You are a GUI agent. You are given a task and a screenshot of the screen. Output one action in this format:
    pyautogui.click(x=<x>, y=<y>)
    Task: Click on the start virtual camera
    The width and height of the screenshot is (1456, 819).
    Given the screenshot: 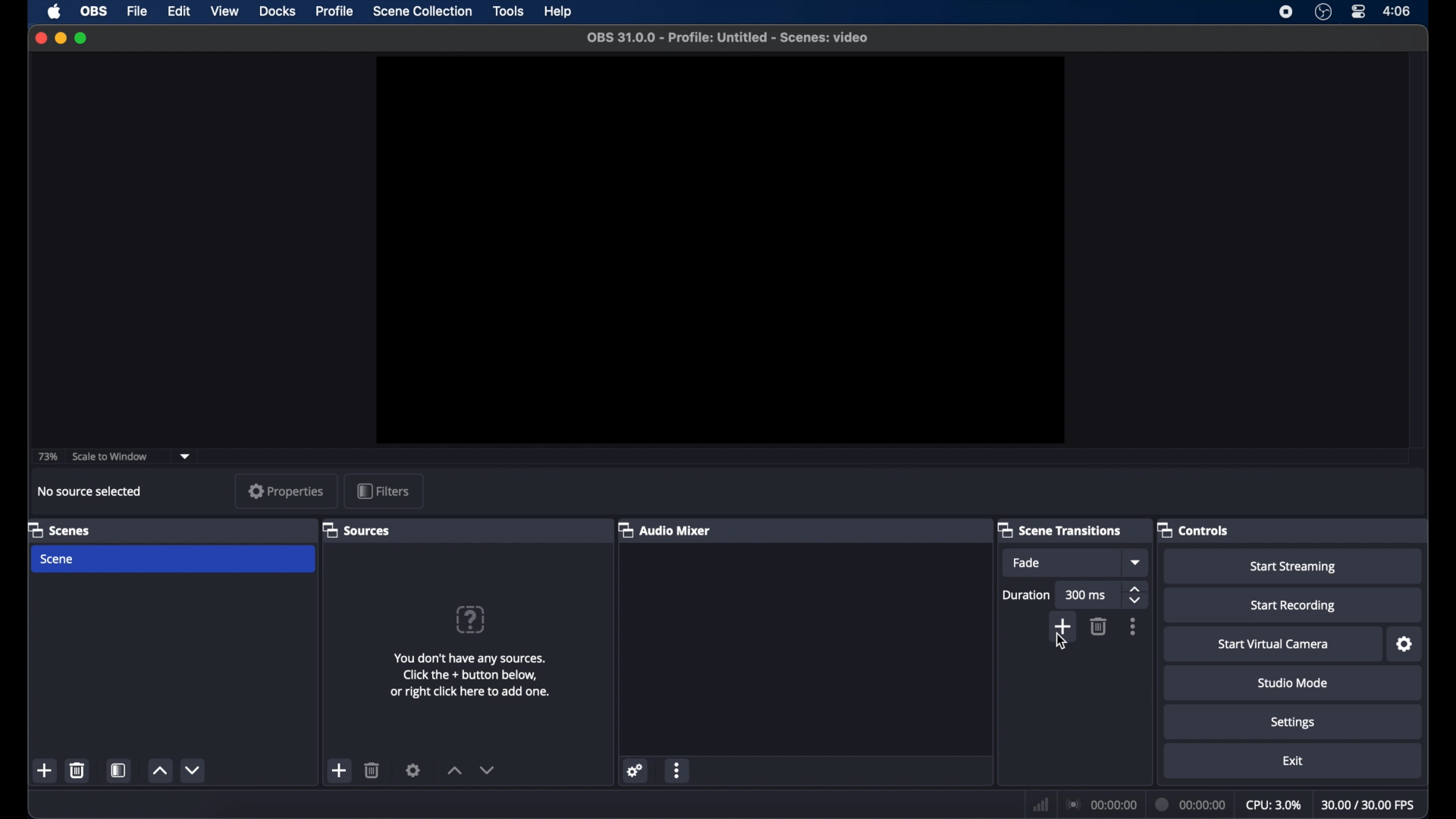 What is the action you would take?
    pyautogui.click(x=1273, y=645)
    